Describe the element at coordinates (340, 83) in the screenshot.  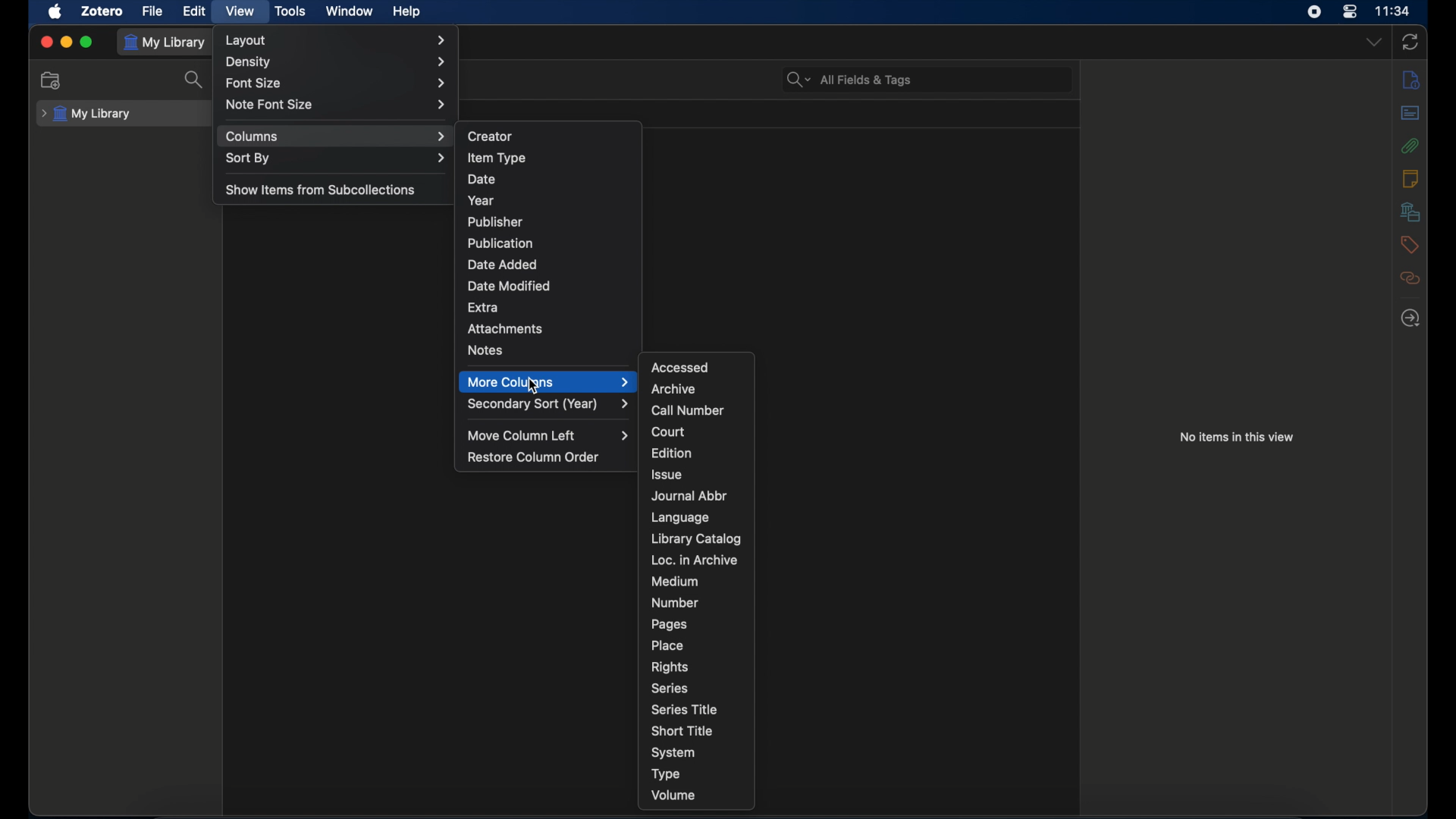
I see `font size` at that location.